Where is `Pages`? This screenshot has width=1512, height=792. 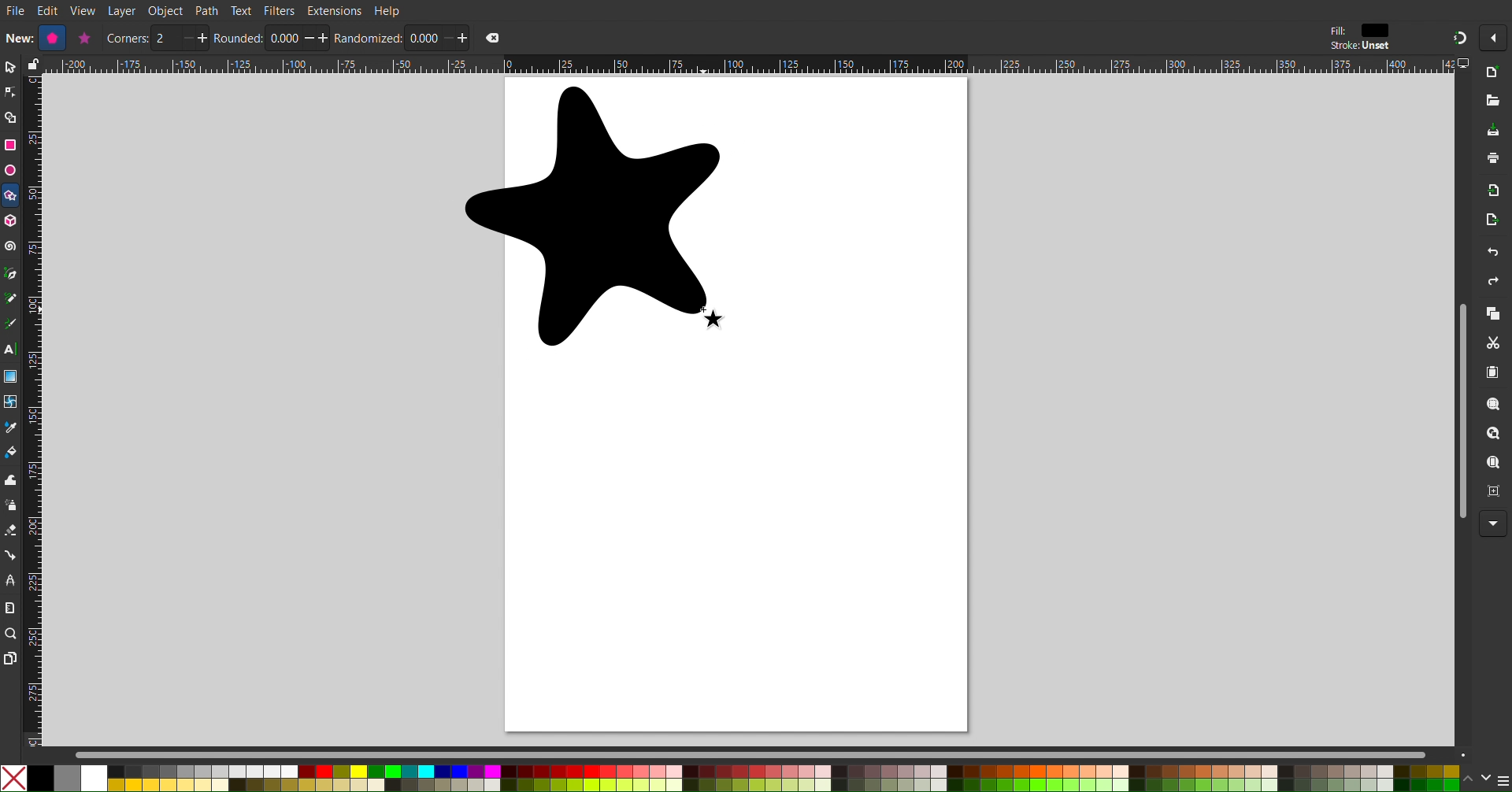
Pages is located at coordinates (9, 660).